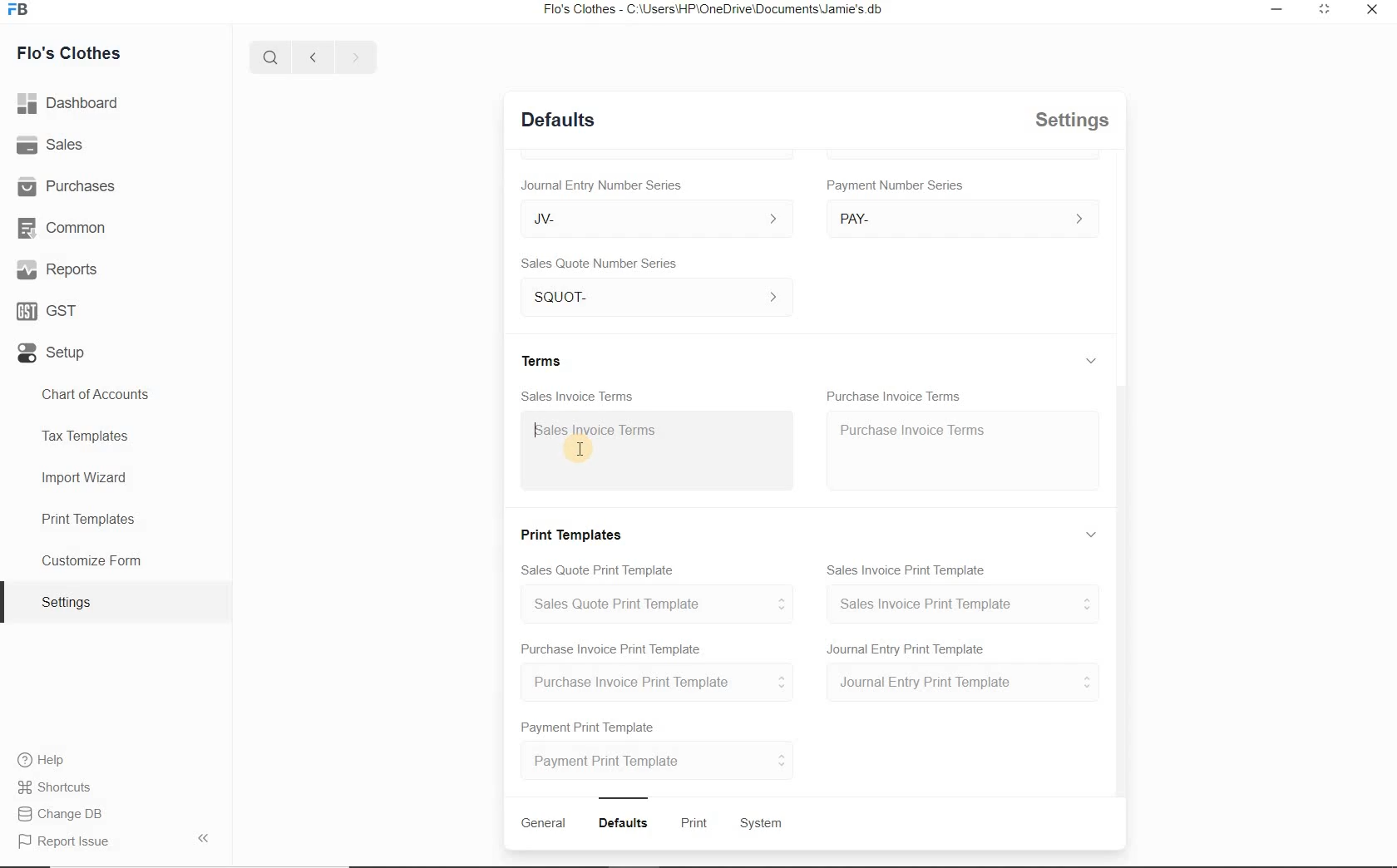 The width and height of the screenshot is (1397, 868). Describe the element at coordinates (963, 683) in the screenshot. I see `Journal Entry Print Template` at that location.